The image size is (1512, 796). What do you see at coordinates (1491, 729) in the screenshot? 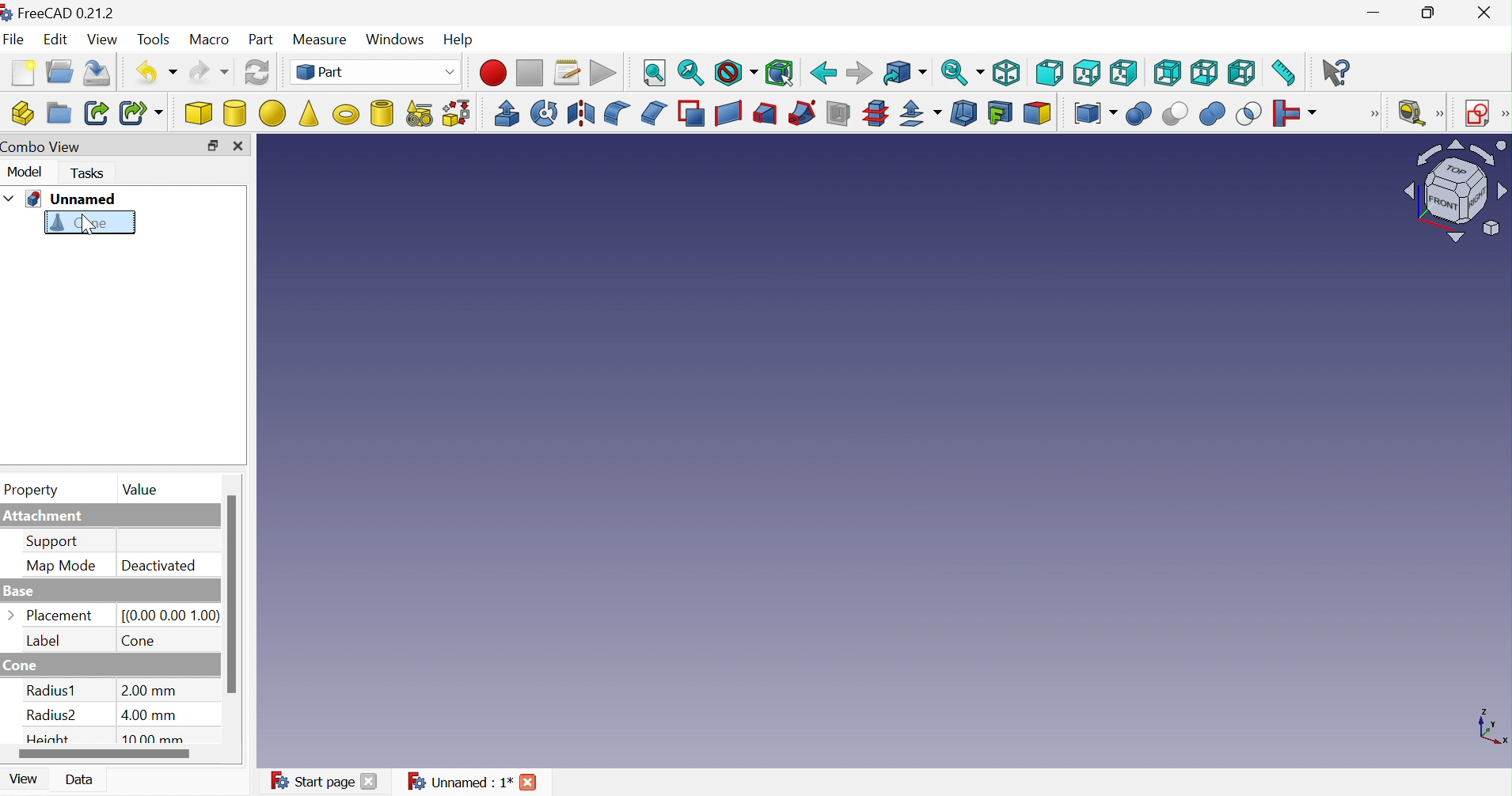
I see `x, y, z axis` at bounding box center [1491, 729].